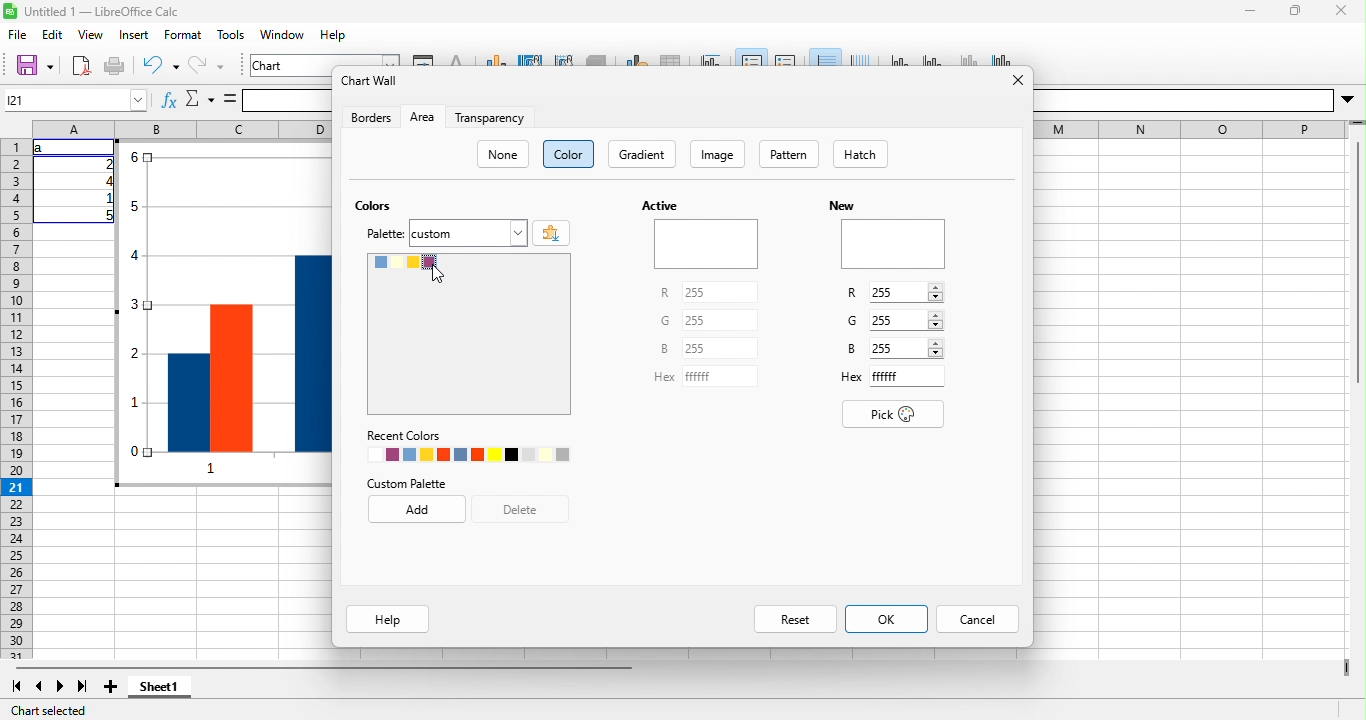 This screenshot has width=1366, height=720. Describe the element at coordinates (10, 11) in the screenshot. I see `Software logo` at that location.